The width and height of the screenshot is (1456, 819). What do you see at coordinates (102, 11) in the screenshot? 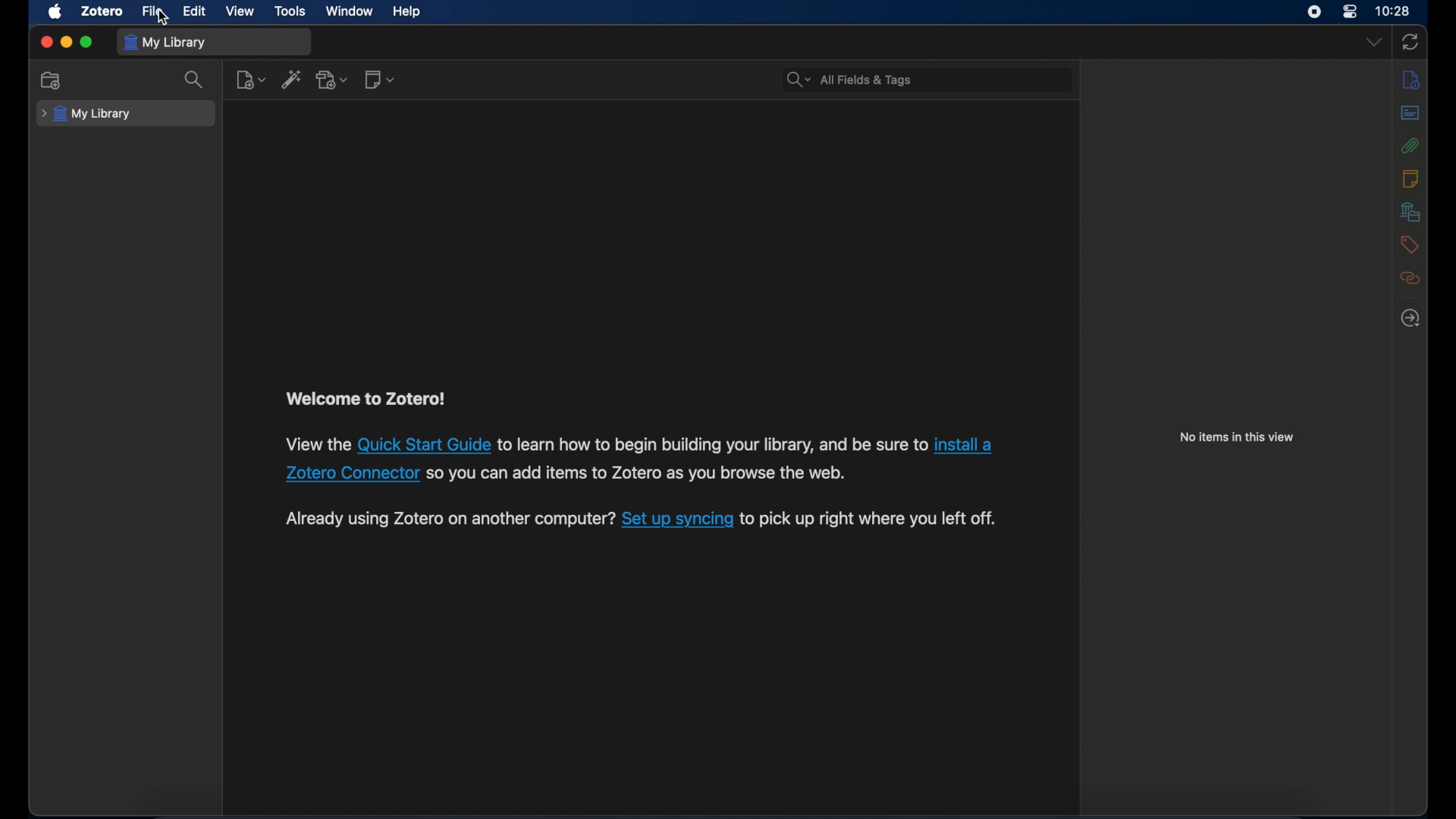
I see `zotero` at bounding box center [102, 11].